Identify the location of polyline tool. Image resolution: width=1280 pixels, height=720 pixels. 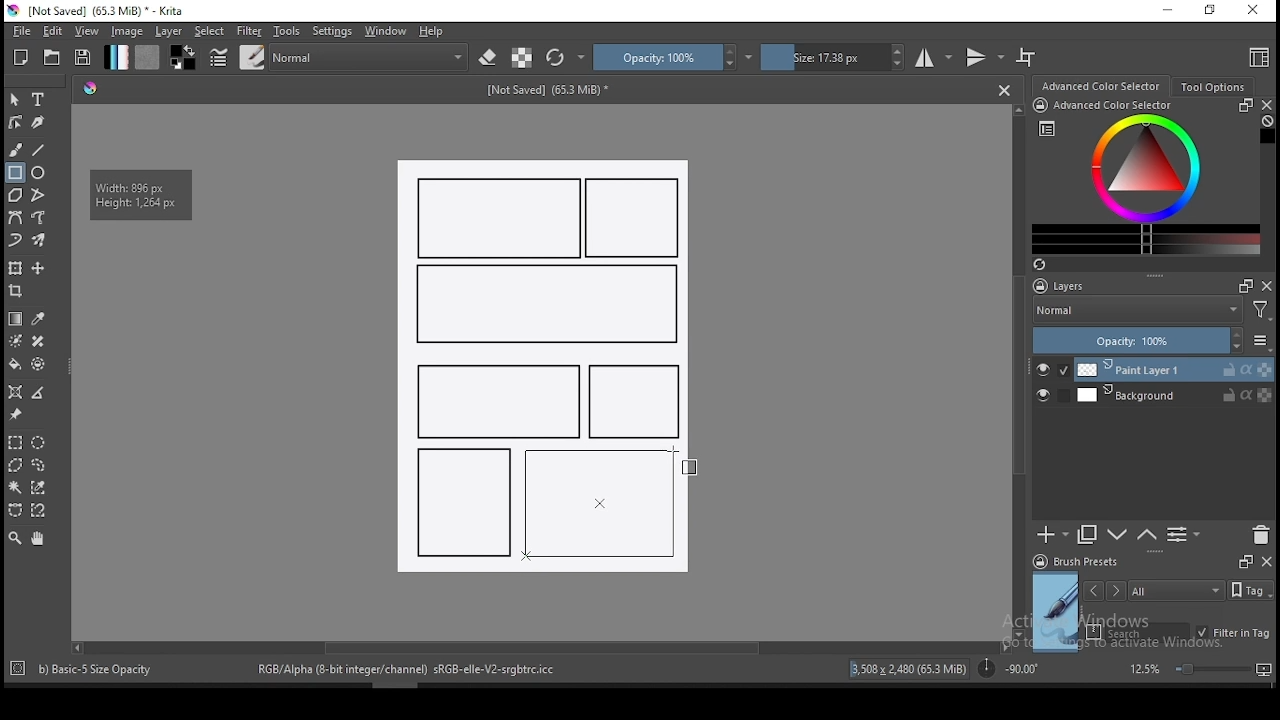
(38, 193).